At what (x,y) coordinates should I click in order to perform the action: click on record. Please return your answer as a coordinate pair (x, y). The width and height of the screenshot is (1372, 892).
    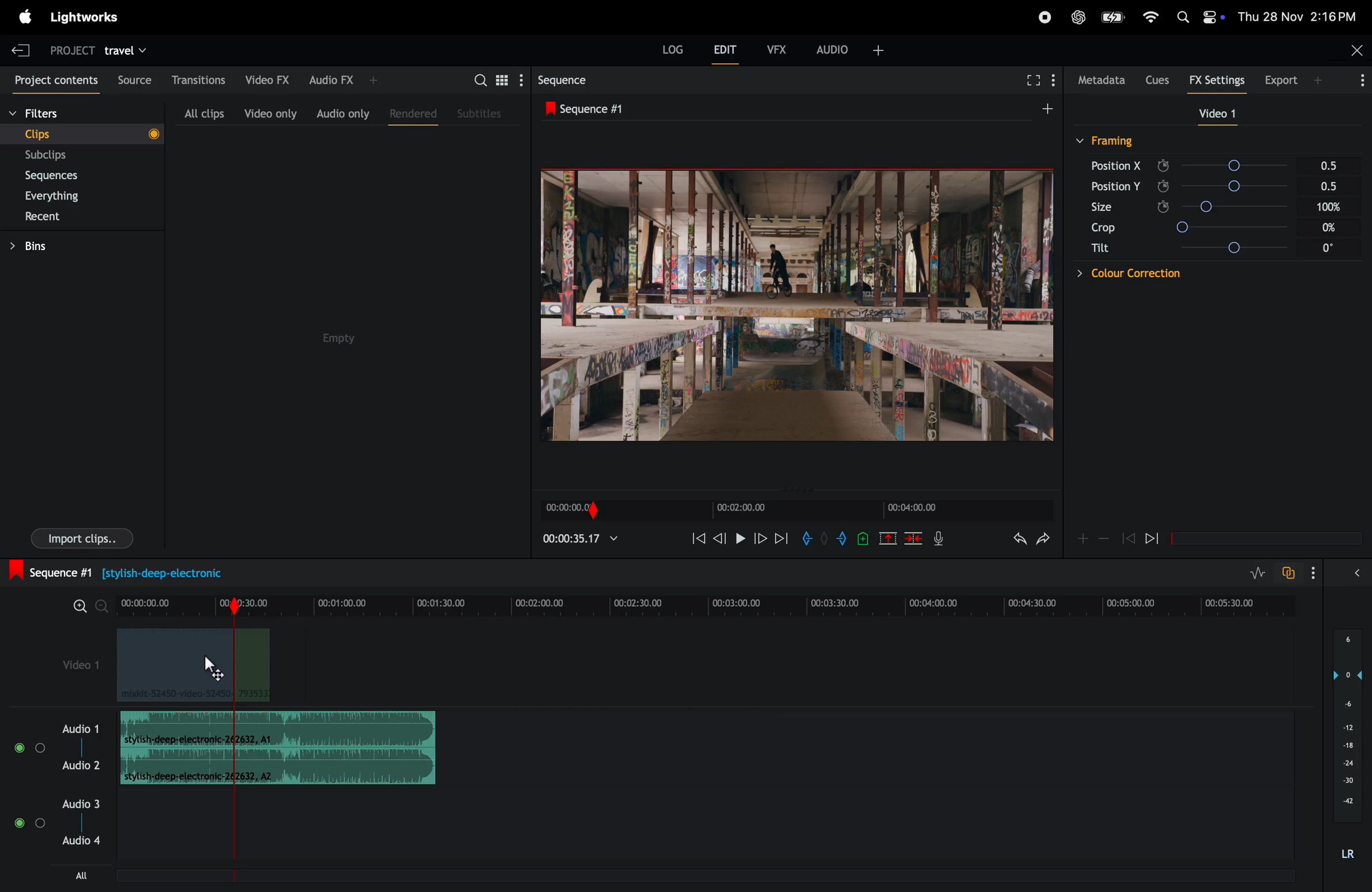
    Looking at the image, I should click on (1039, 17).